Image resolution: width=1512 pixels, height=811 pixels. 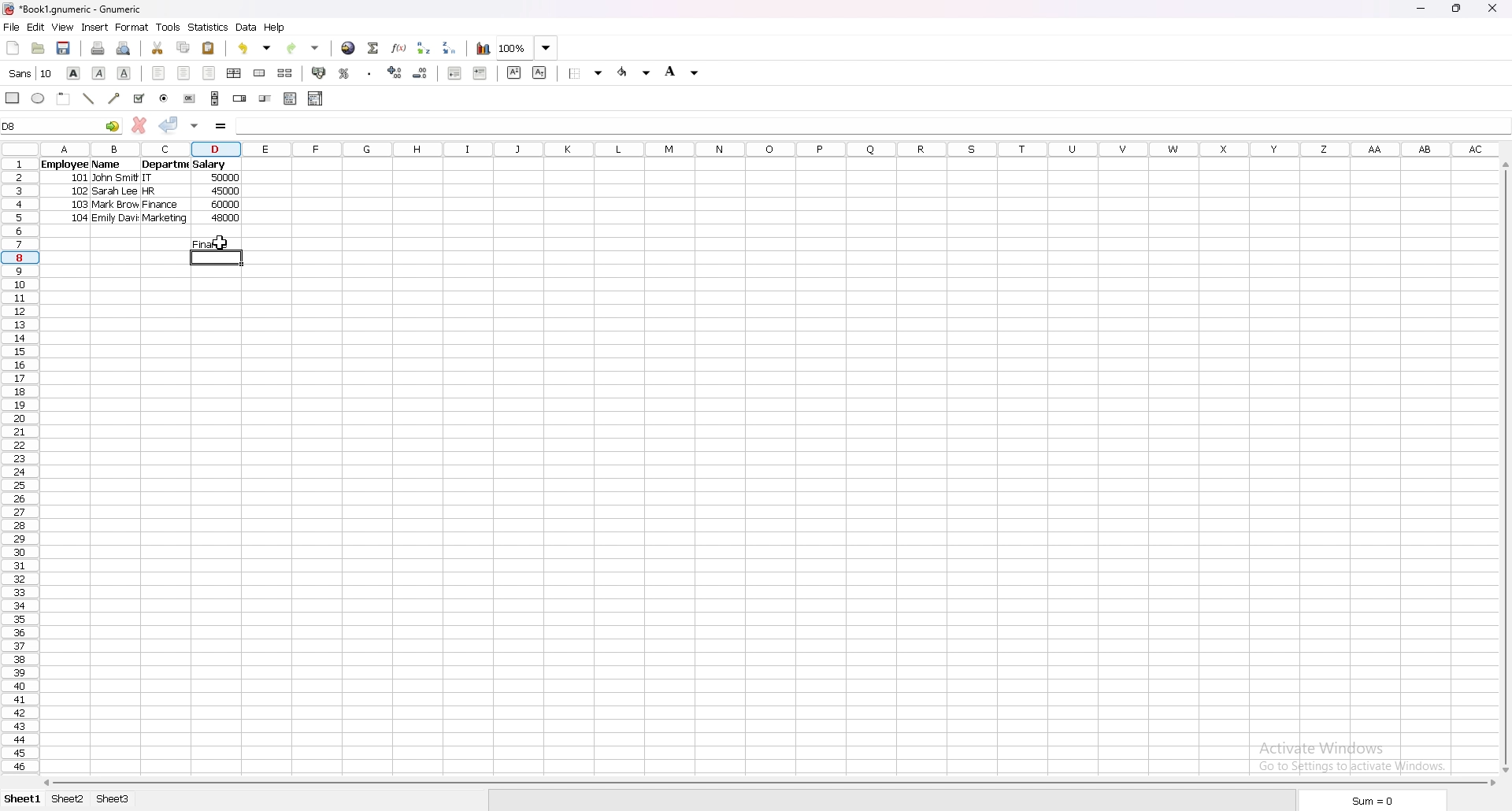 I want to click on 100%, so click(x=527, y=48).